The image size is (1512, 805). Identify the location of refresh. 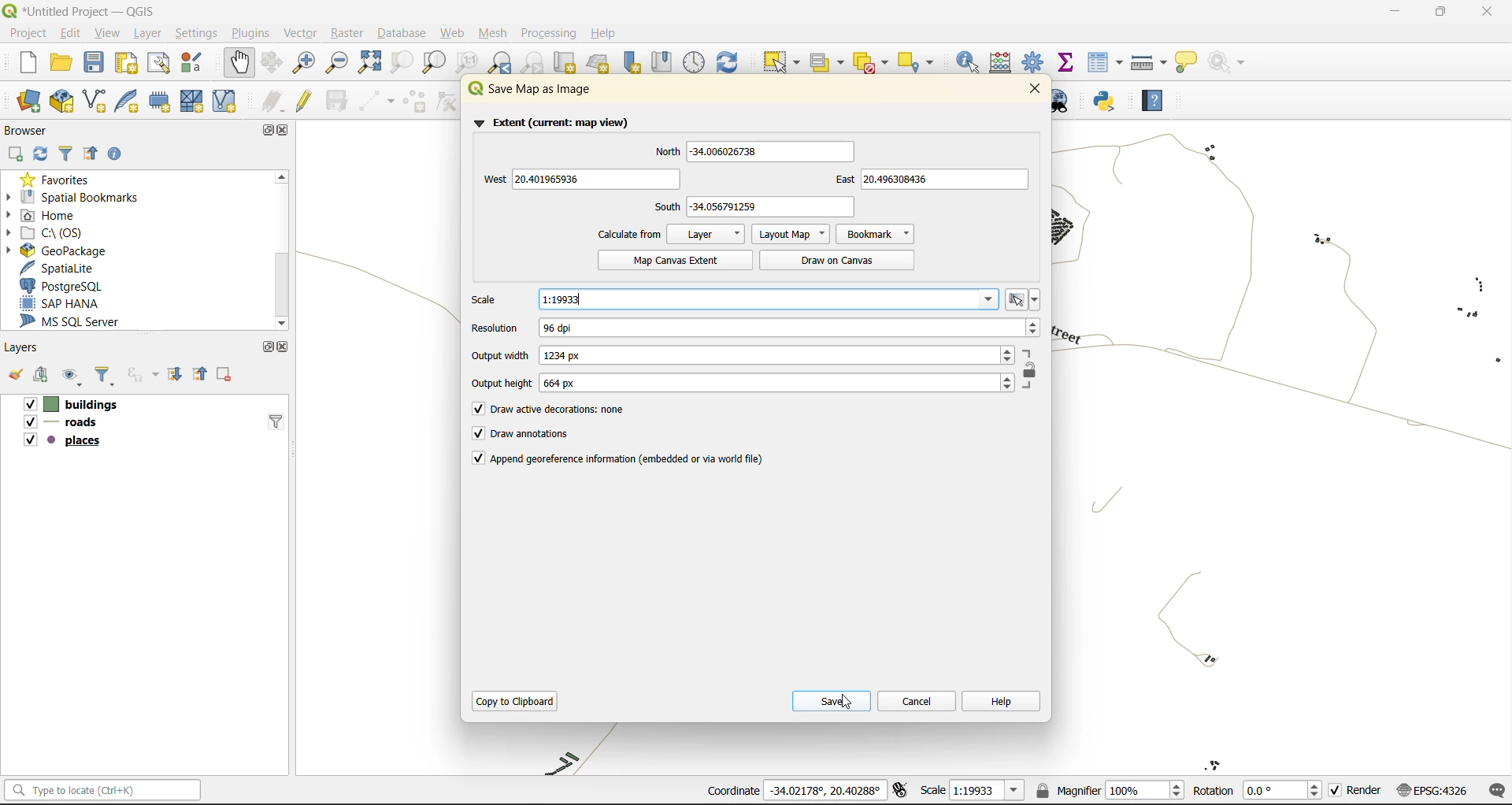
(42, 158).